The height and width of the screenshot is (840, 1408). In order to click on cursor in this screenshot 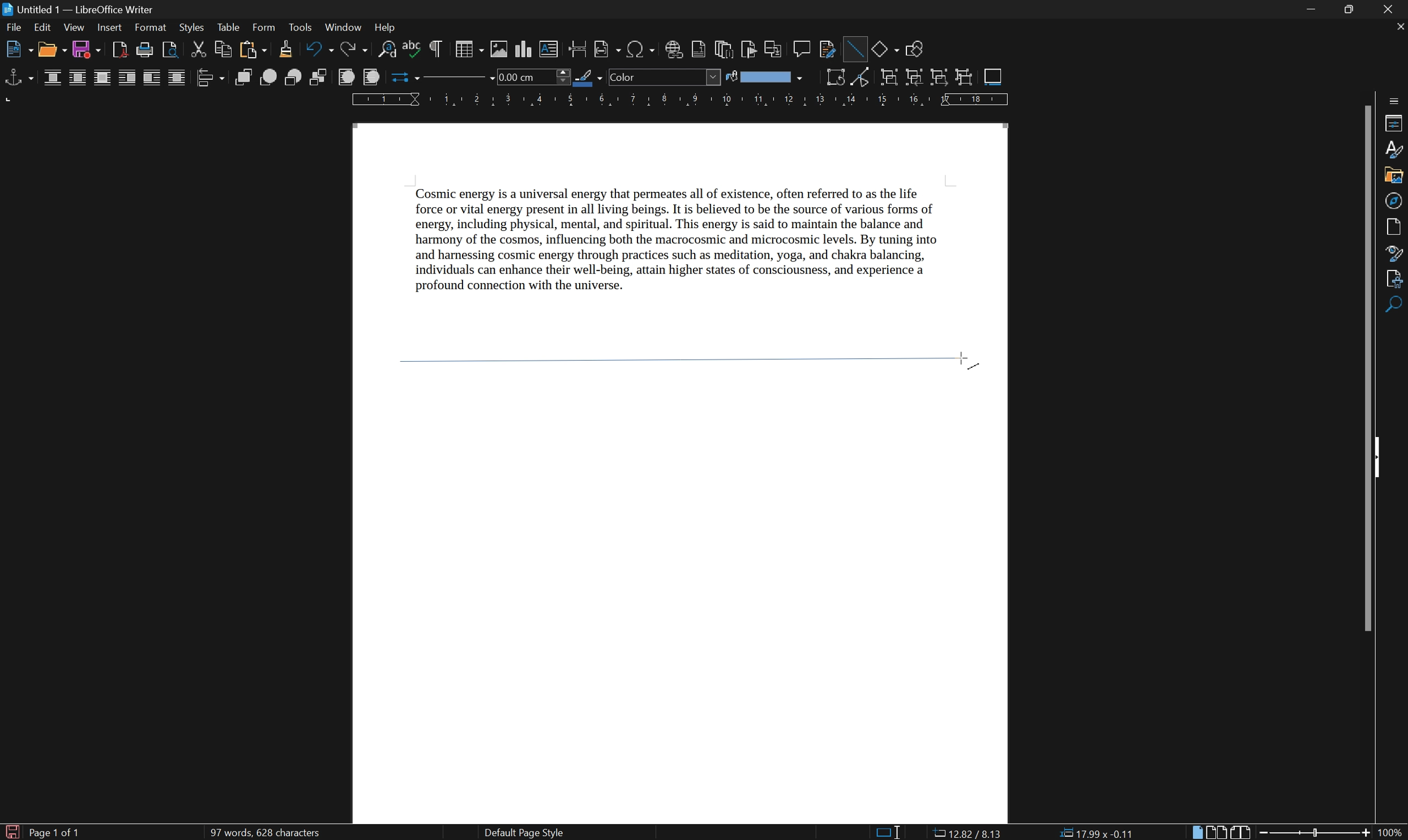, I will do `click(967, 357)`.